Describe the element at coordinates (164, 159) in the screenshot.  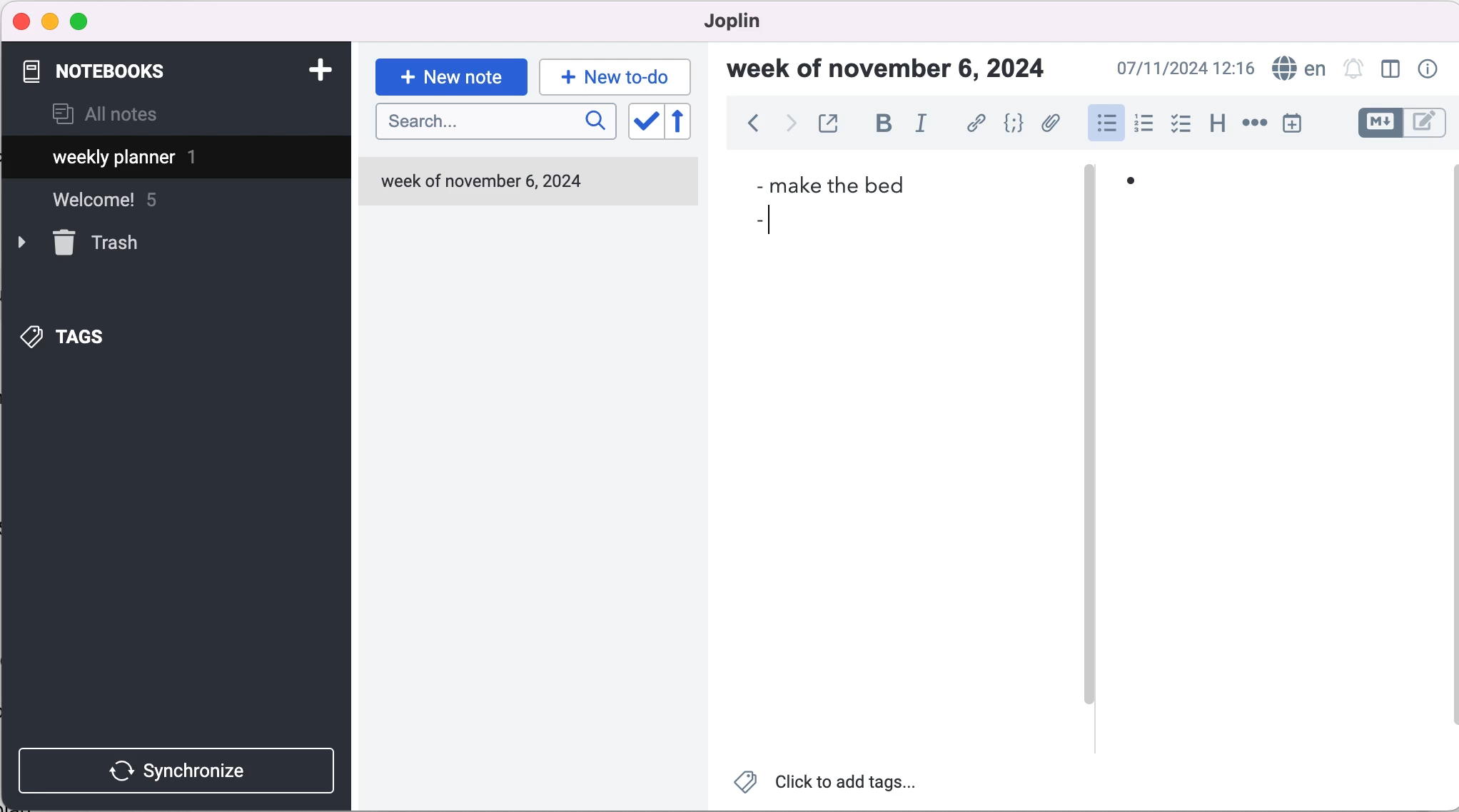
I see `weekly planner 1` at that location.